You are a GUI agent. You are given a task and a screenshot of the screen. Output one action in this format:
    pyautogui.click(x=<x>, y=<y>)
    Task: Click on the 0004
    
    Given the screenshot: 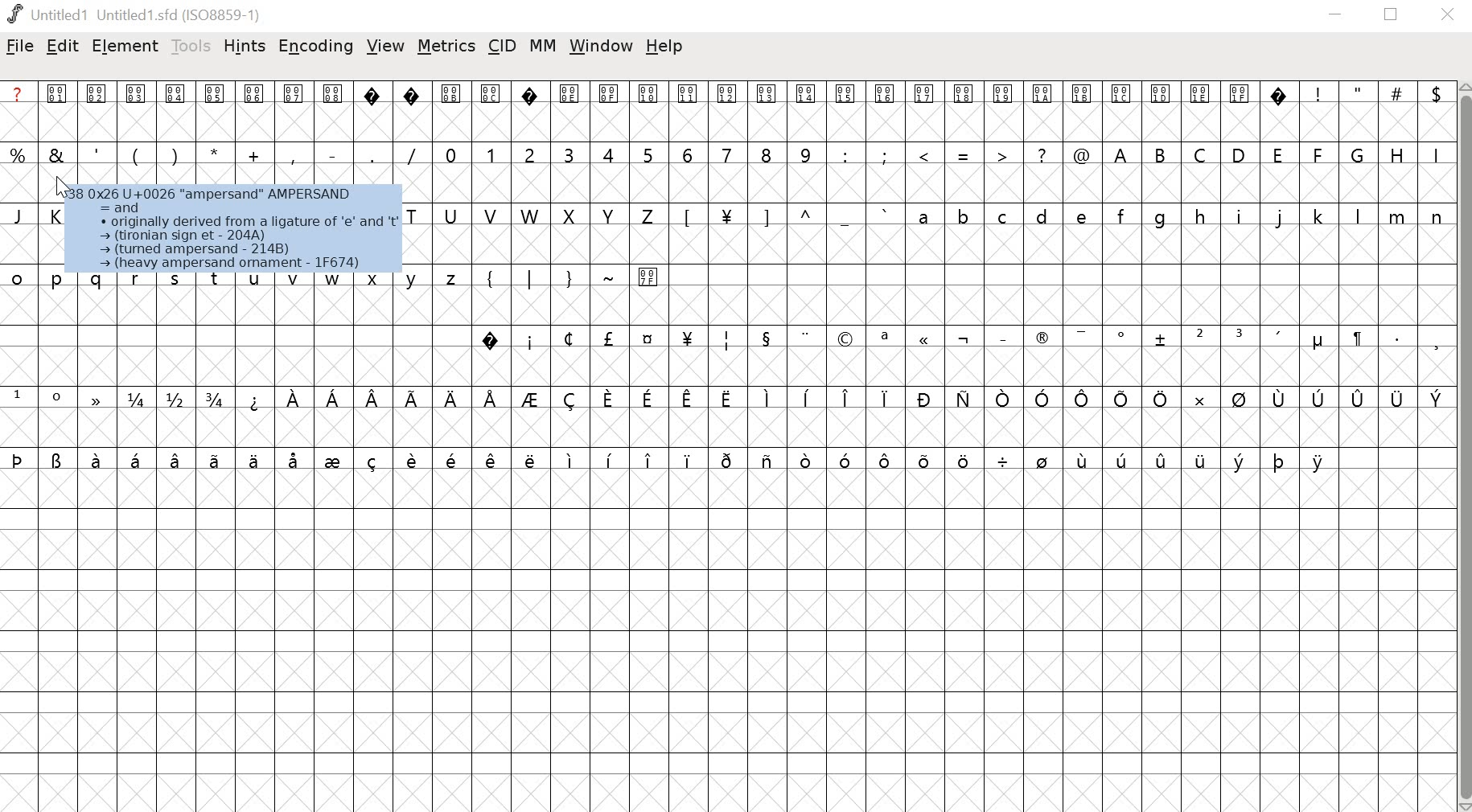 What is the action you would take?
    pyautogui.click(x=175, y=112)
    